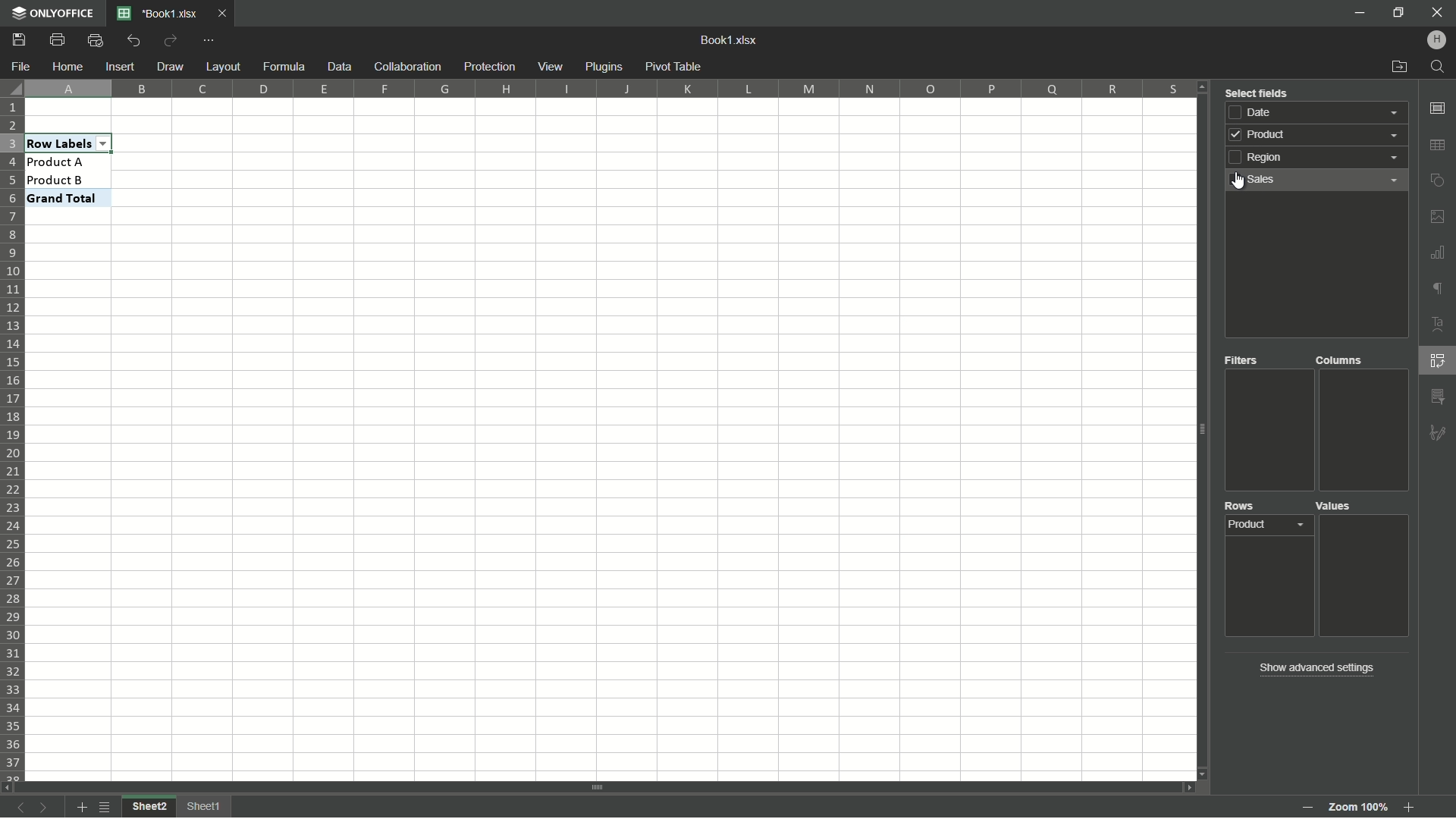 This screenshot has width=1456, height=819. I want to click on cells, so click(127, 494).